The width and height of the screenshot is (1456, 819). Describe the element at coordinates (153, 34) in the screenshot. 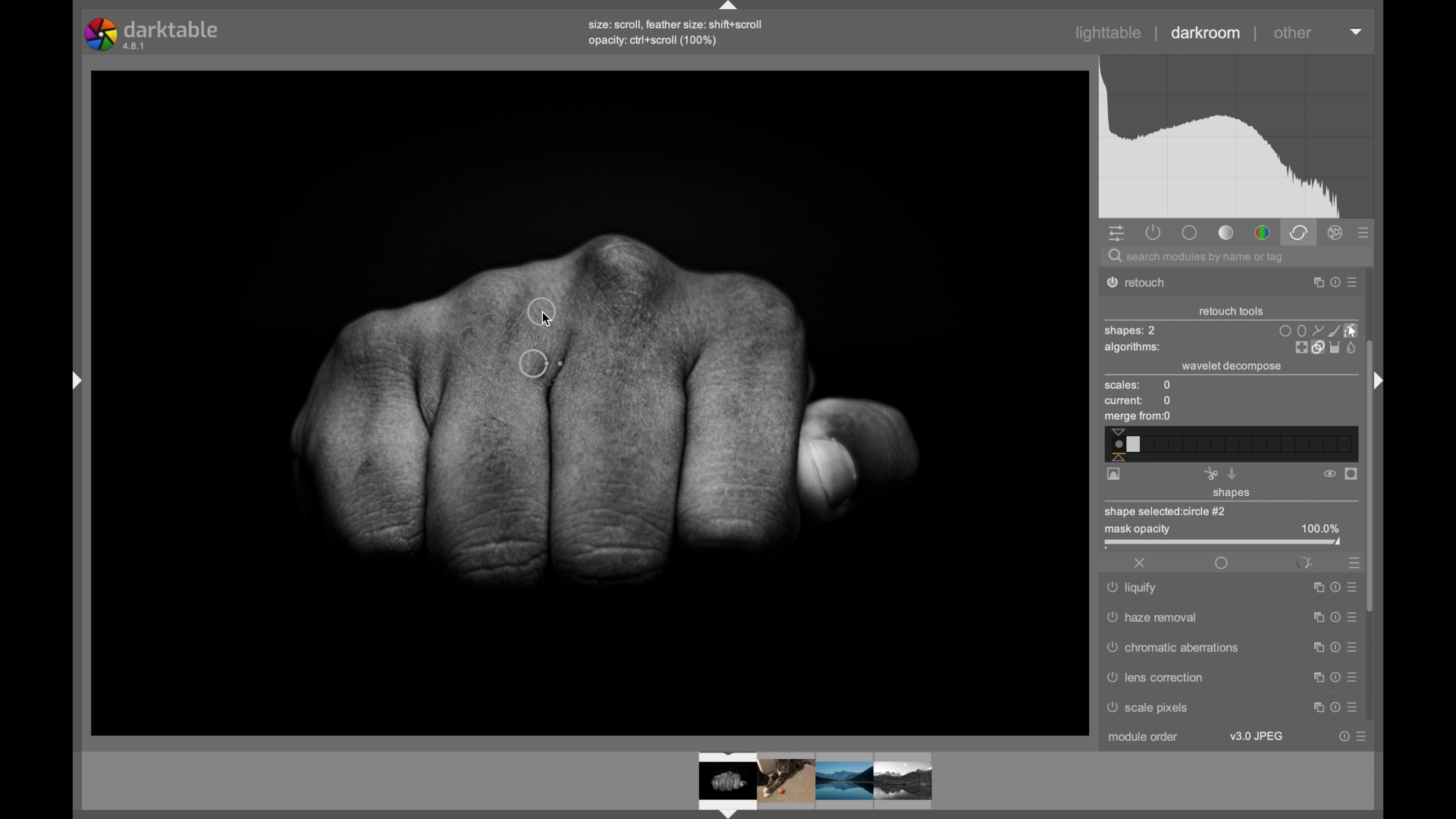

I see `darktable` at that location.